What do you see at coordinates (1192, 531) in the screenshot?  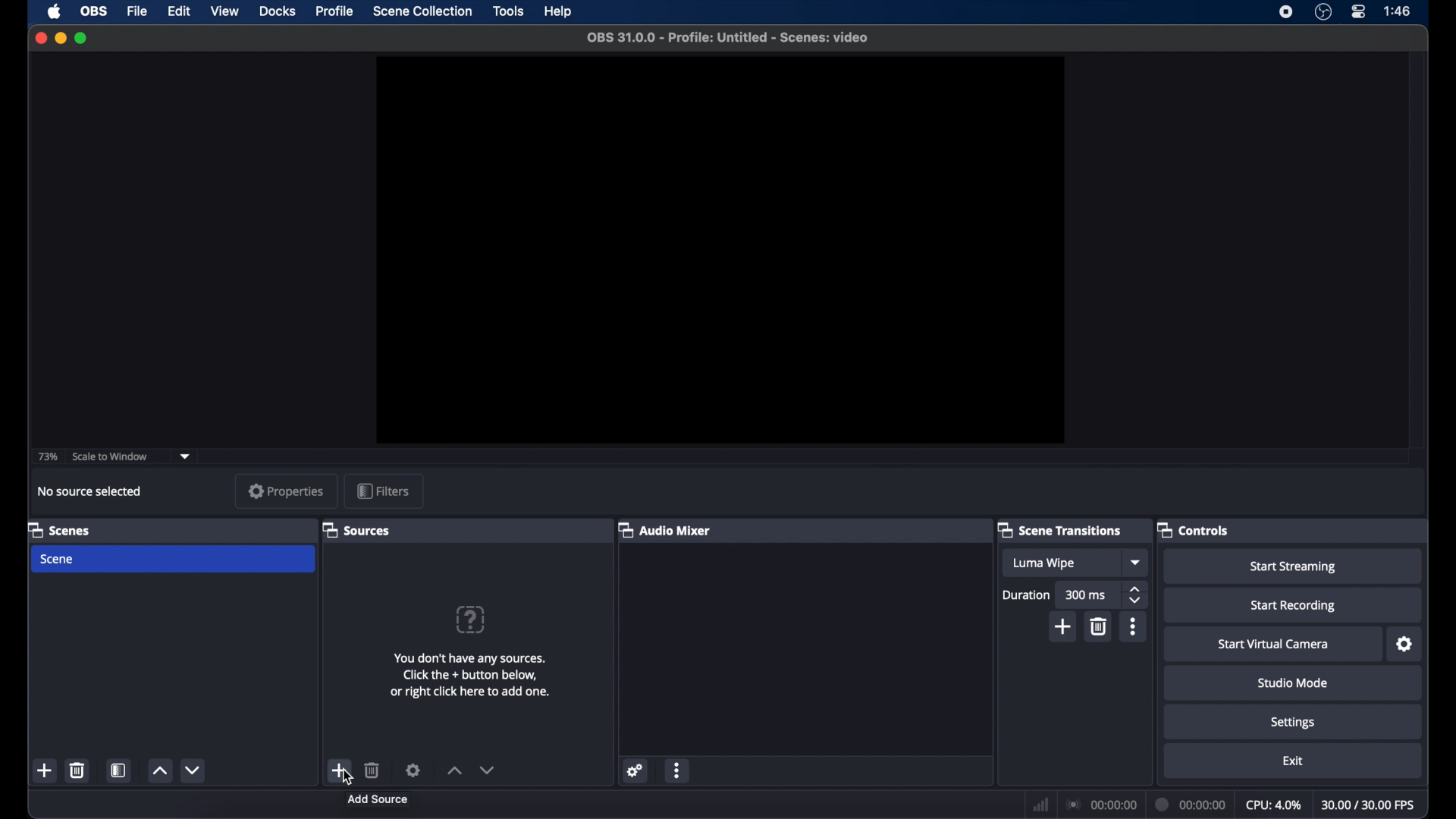 I see `controls` at bounding box center [1192, 531].